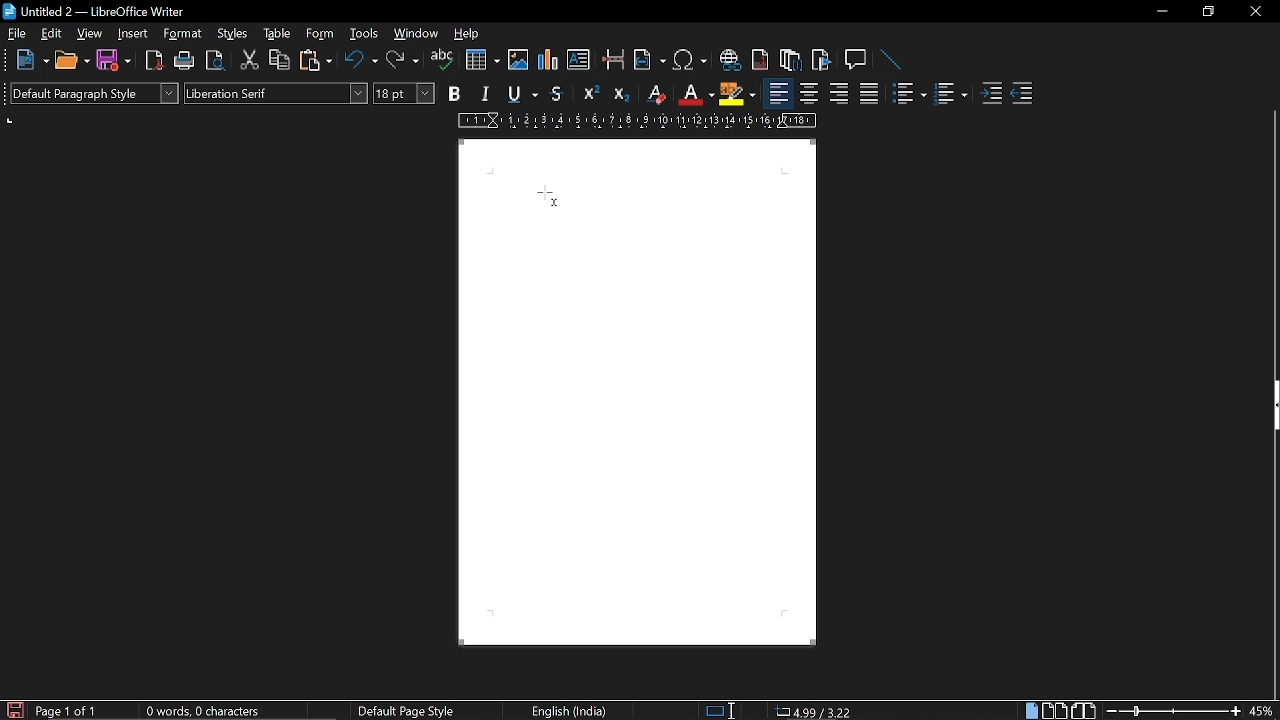  I want to click on multiple page view, so click(1054, 711).